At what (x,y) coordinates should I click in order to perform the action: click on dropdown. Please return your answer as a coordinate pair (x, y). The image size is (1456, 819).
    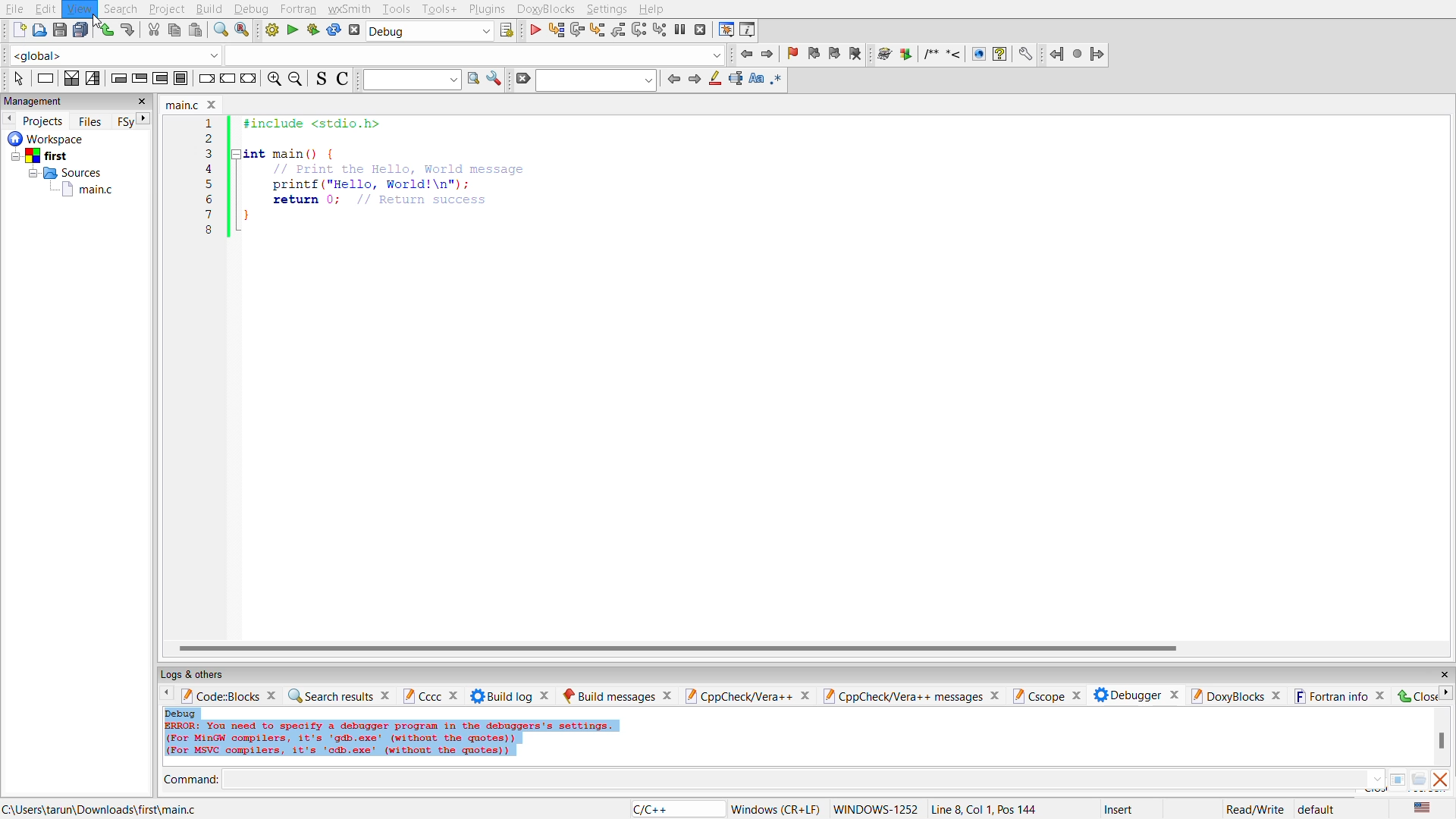
    Looking at the image, I should click on (1376, 778).